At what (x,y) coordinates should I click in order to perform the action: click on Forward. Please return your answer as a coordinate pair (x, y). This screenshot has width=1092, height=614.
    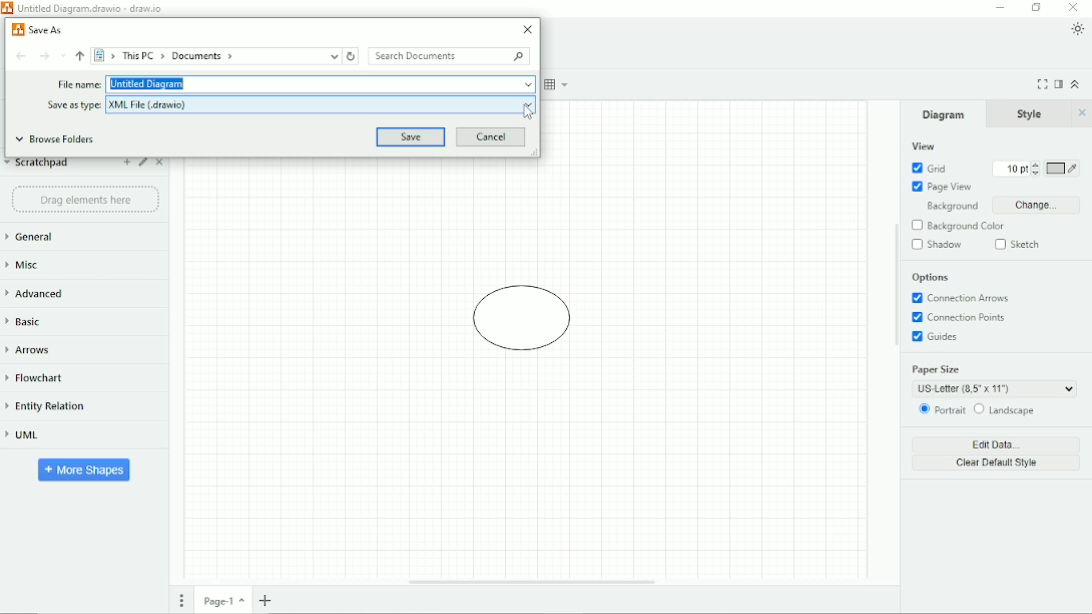
    Looking at the image, I should click on (44, 57).